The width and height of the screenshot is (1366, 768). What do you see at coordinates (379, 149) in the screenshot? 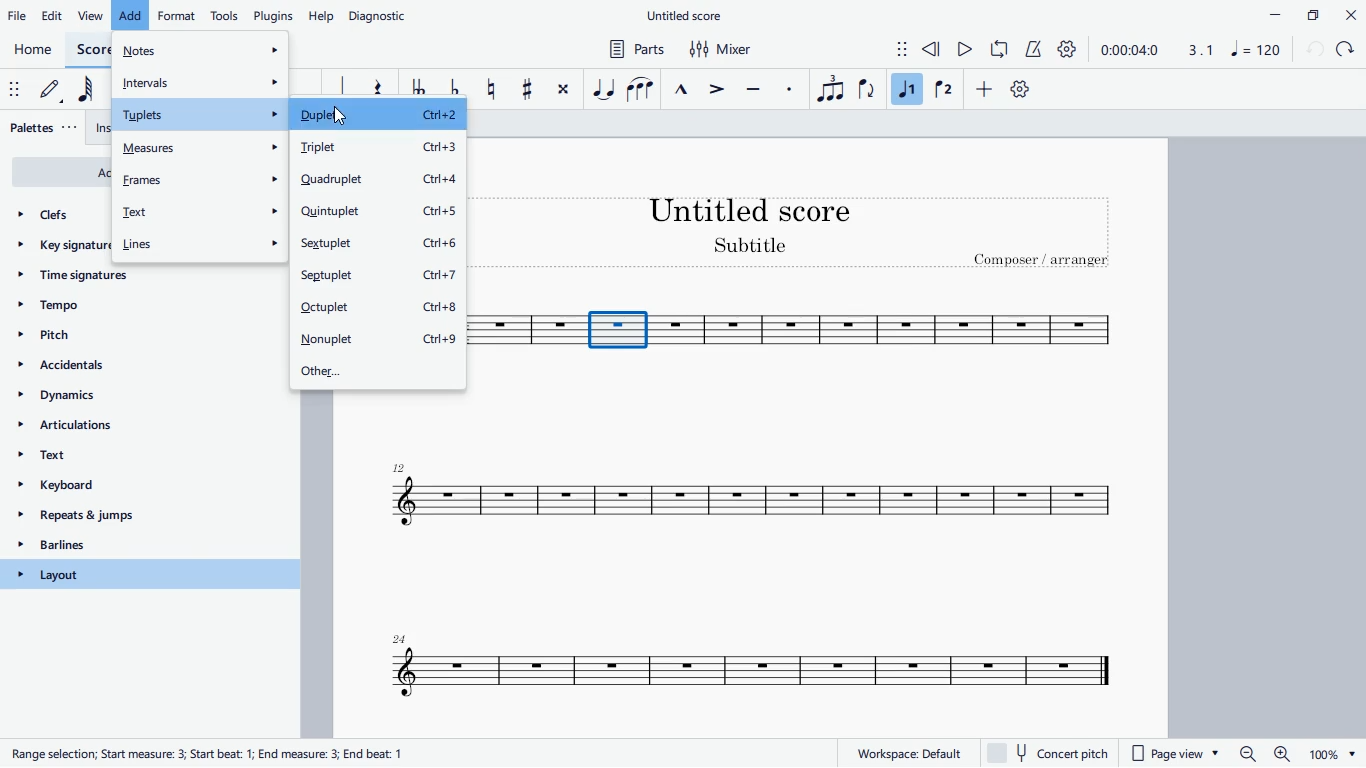
I see `triplet` at bounding box center [379, 149].